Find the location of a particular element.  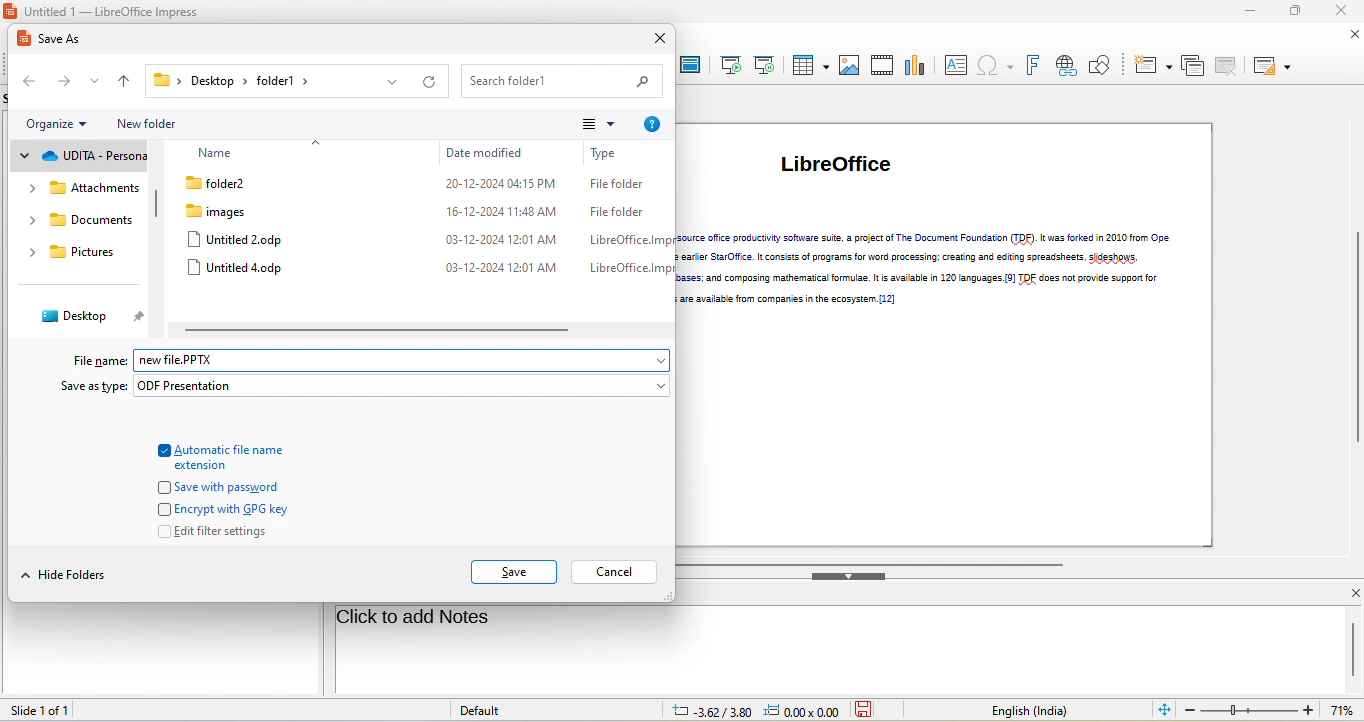

-3.62/3.80 is located at coordinates (706, 710).